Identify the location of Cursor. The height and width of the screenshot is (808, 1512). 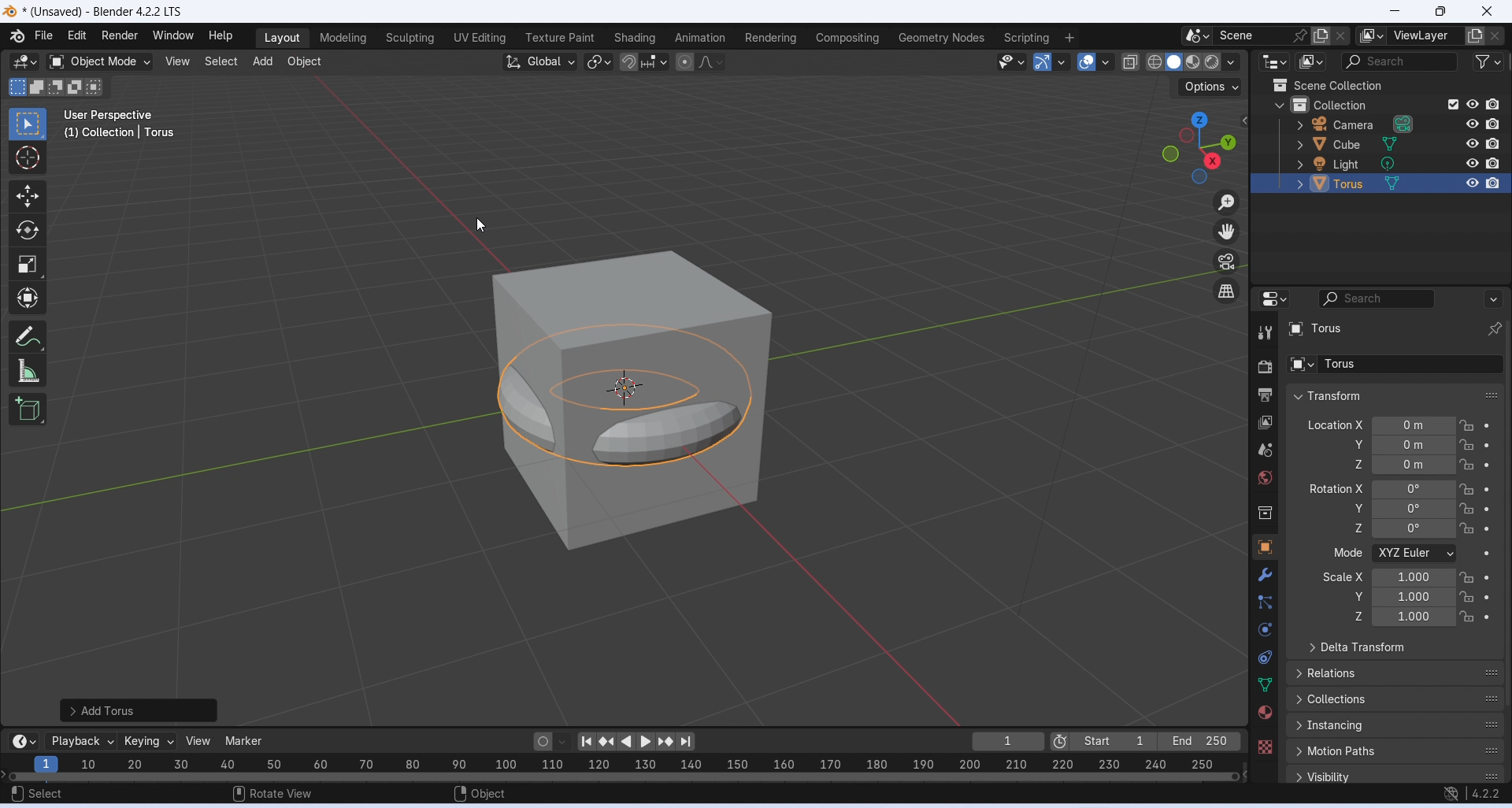
(28, 158).